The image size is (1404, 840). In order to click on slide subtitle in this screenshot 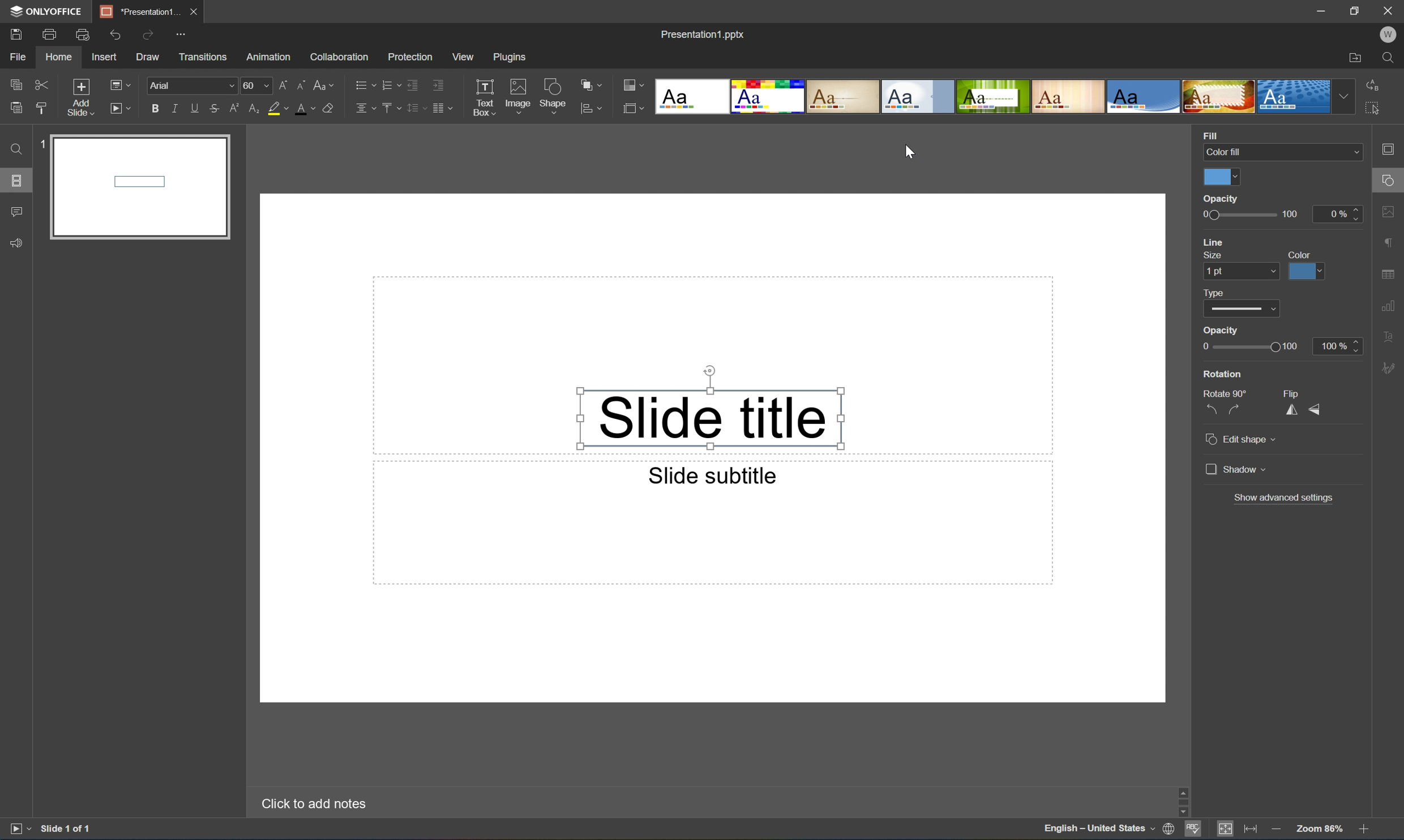, I will do `click(711, 477)`.